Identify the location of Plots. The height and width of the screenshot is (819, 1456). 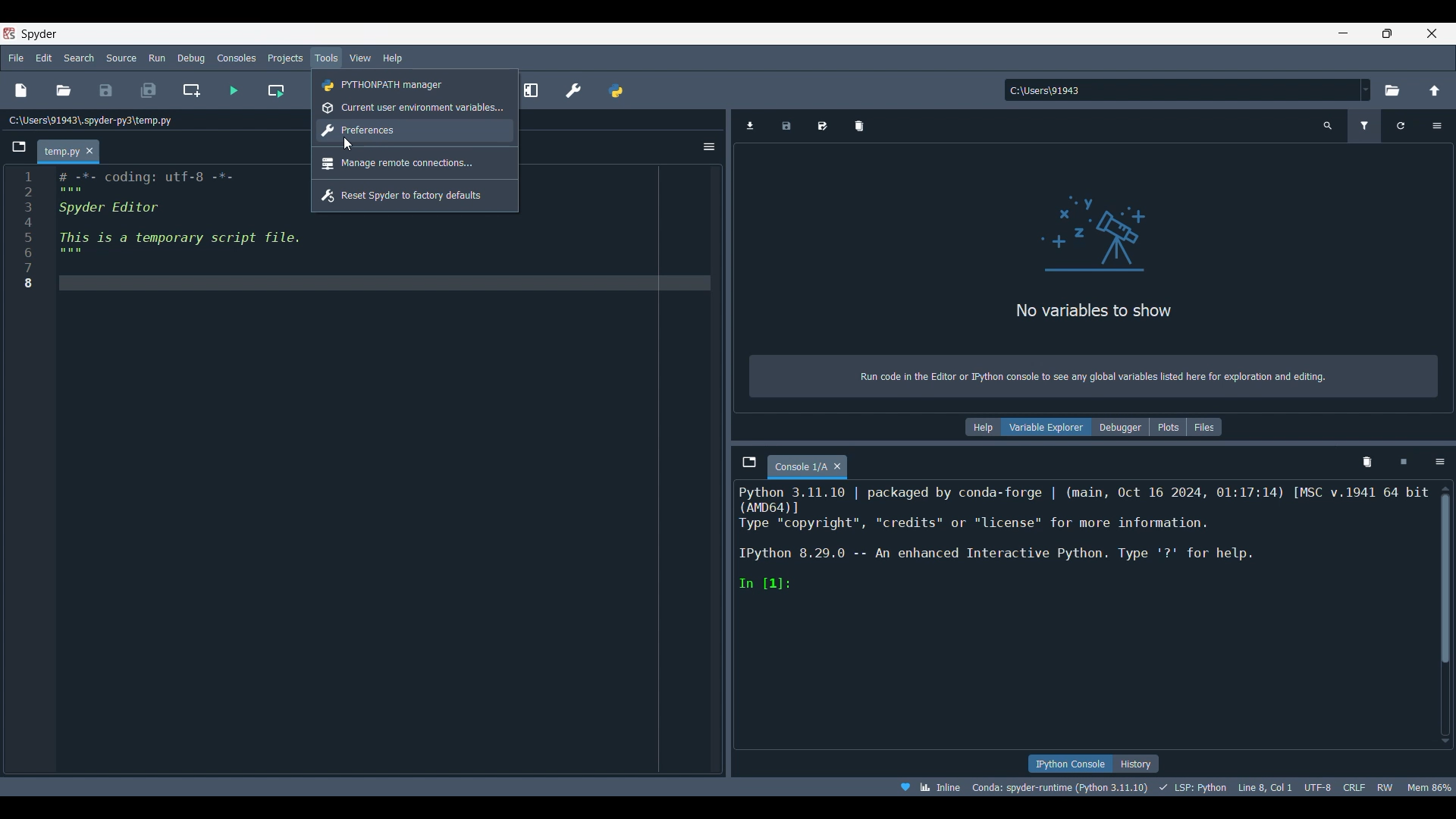
(1168, 427).